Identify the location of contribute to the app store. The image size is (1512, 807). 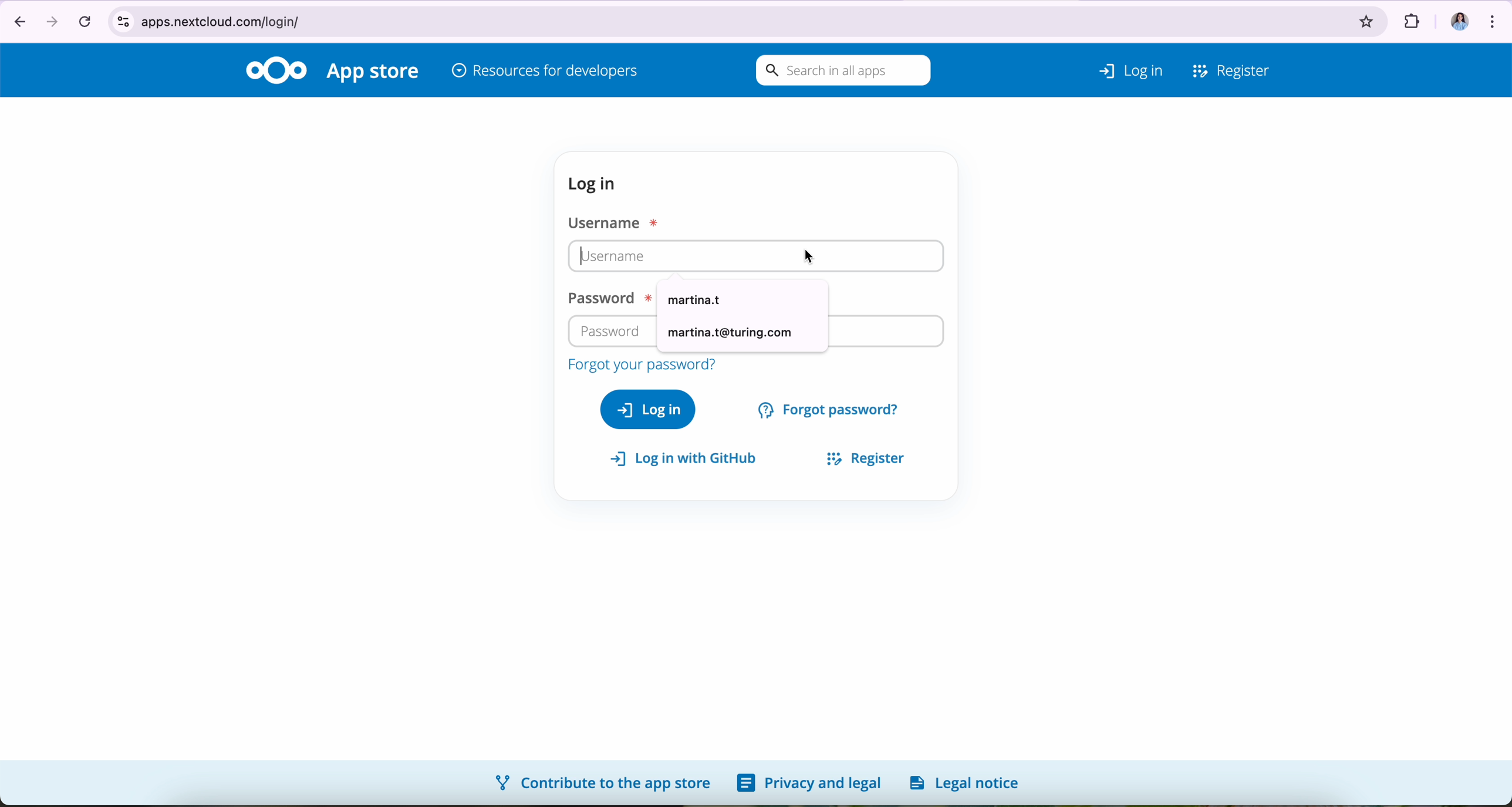
(601, 782).